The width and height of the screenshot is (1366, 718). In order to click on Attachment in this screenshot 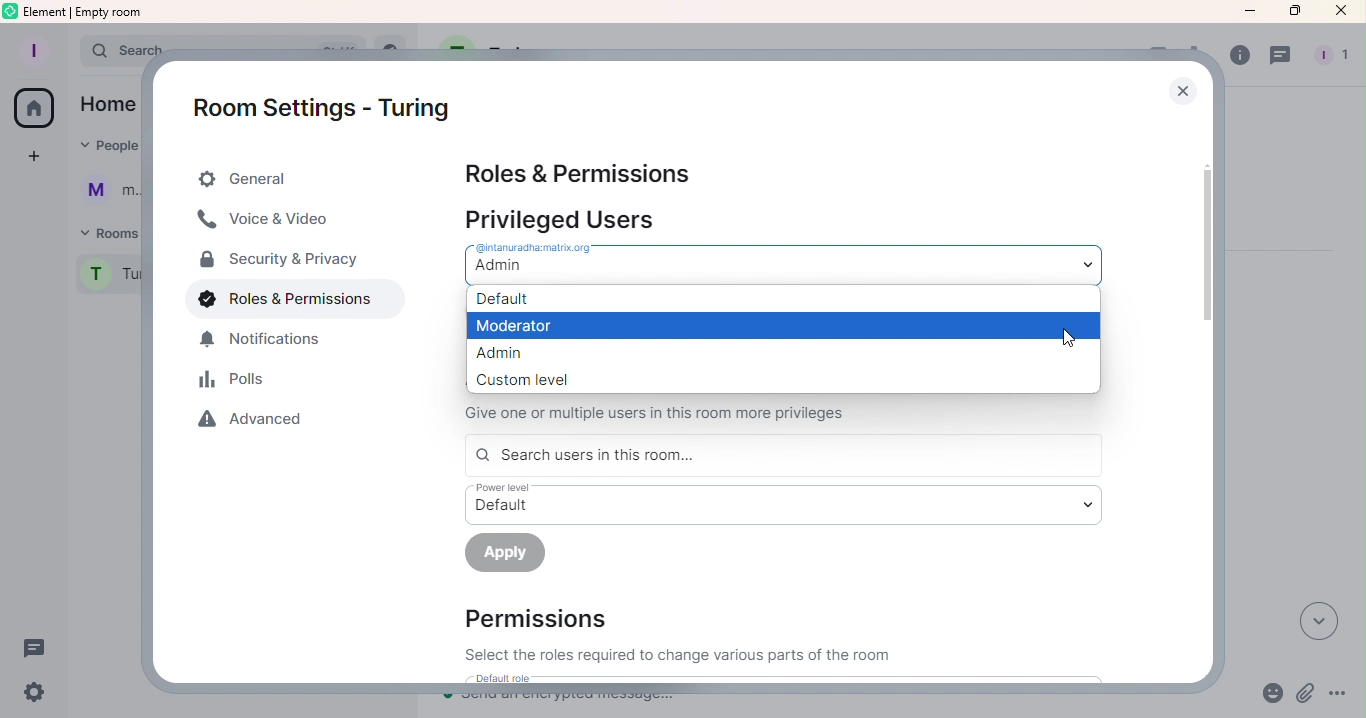, I will do `click(1303, 696)`.